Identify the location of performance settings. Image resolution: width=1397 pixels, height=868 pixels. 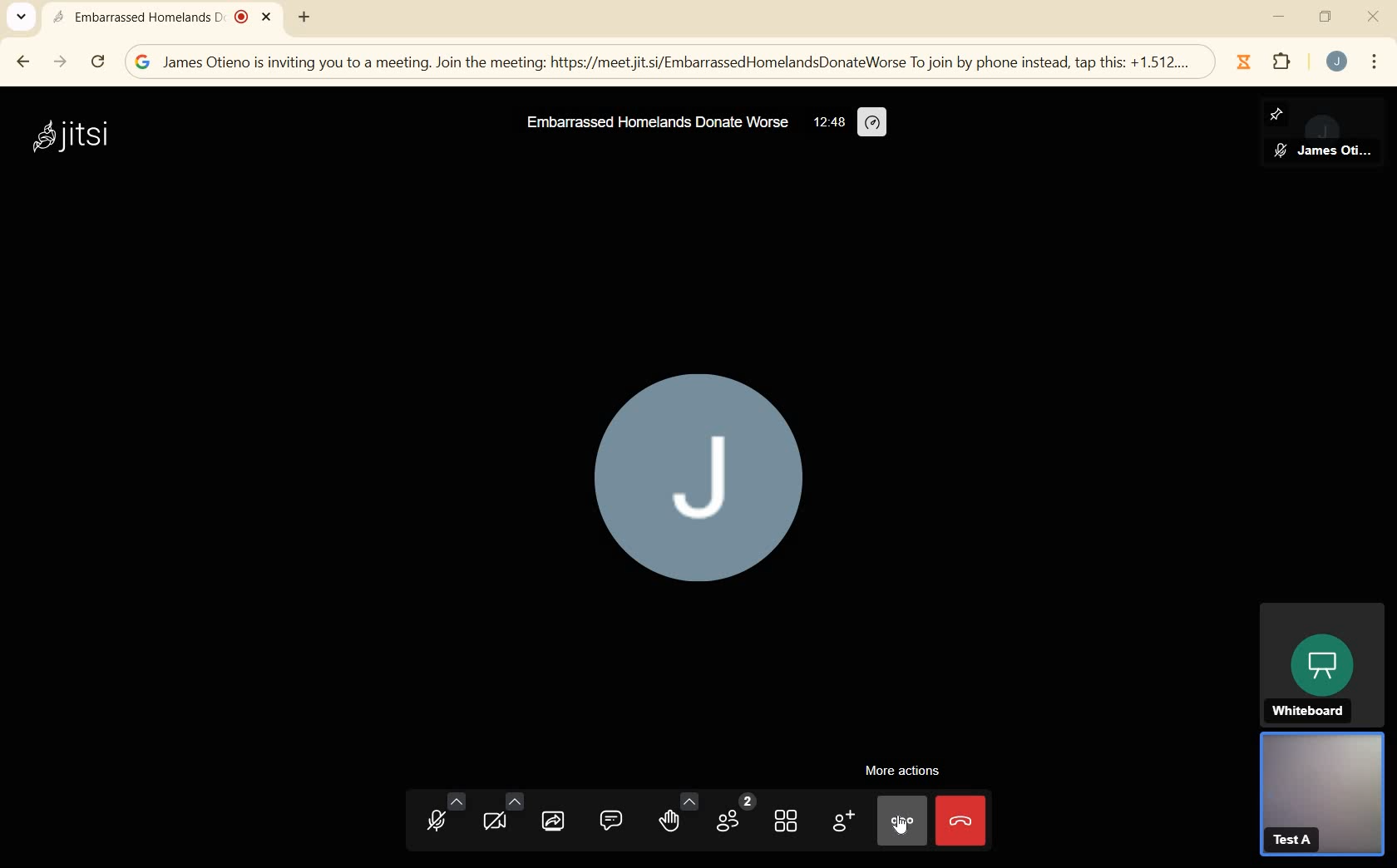
(871, 123).